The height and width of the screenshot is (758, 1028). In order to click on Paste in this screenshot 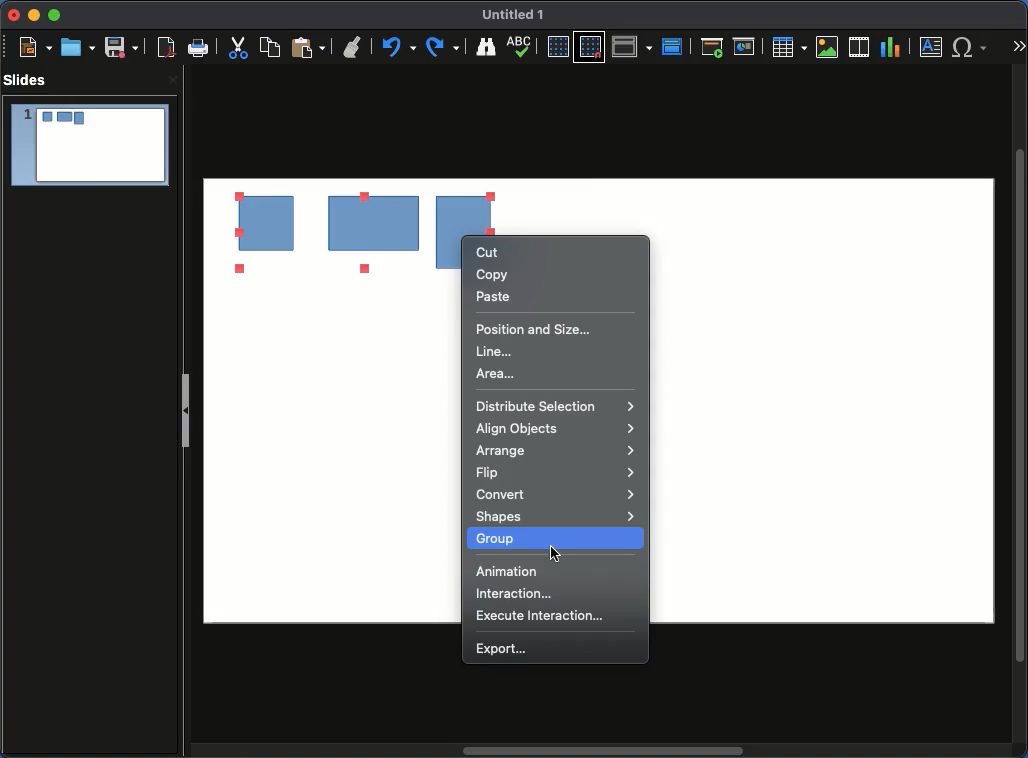, I will do `click(493, 297)`.